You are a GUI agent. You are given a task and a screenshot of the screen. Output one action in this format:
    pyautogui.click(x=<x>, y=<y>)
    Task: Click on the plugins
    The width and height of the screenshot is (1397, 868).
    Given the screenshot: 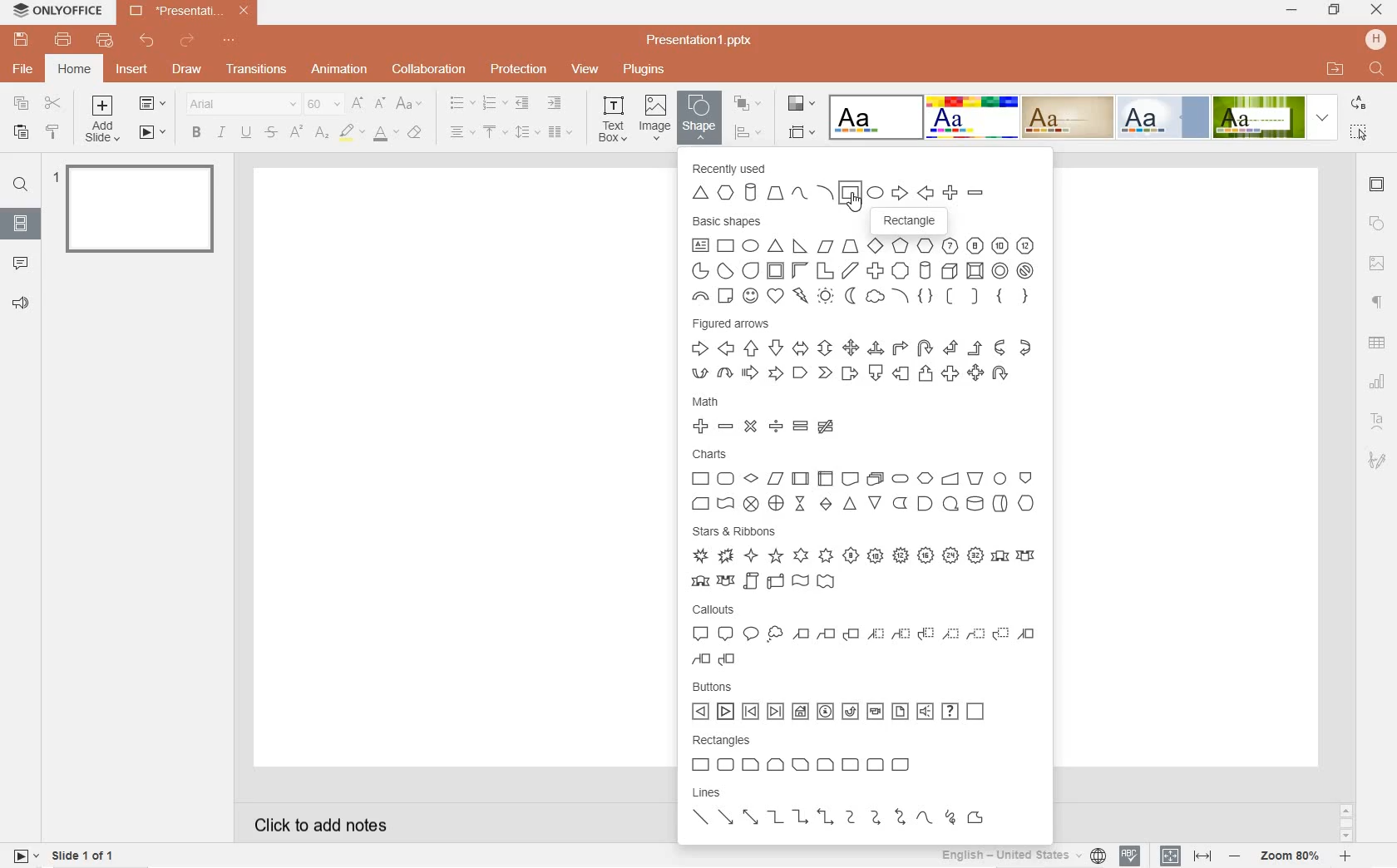 What is the action you would take?
    pyautogui.click(x=643, y=69)
    